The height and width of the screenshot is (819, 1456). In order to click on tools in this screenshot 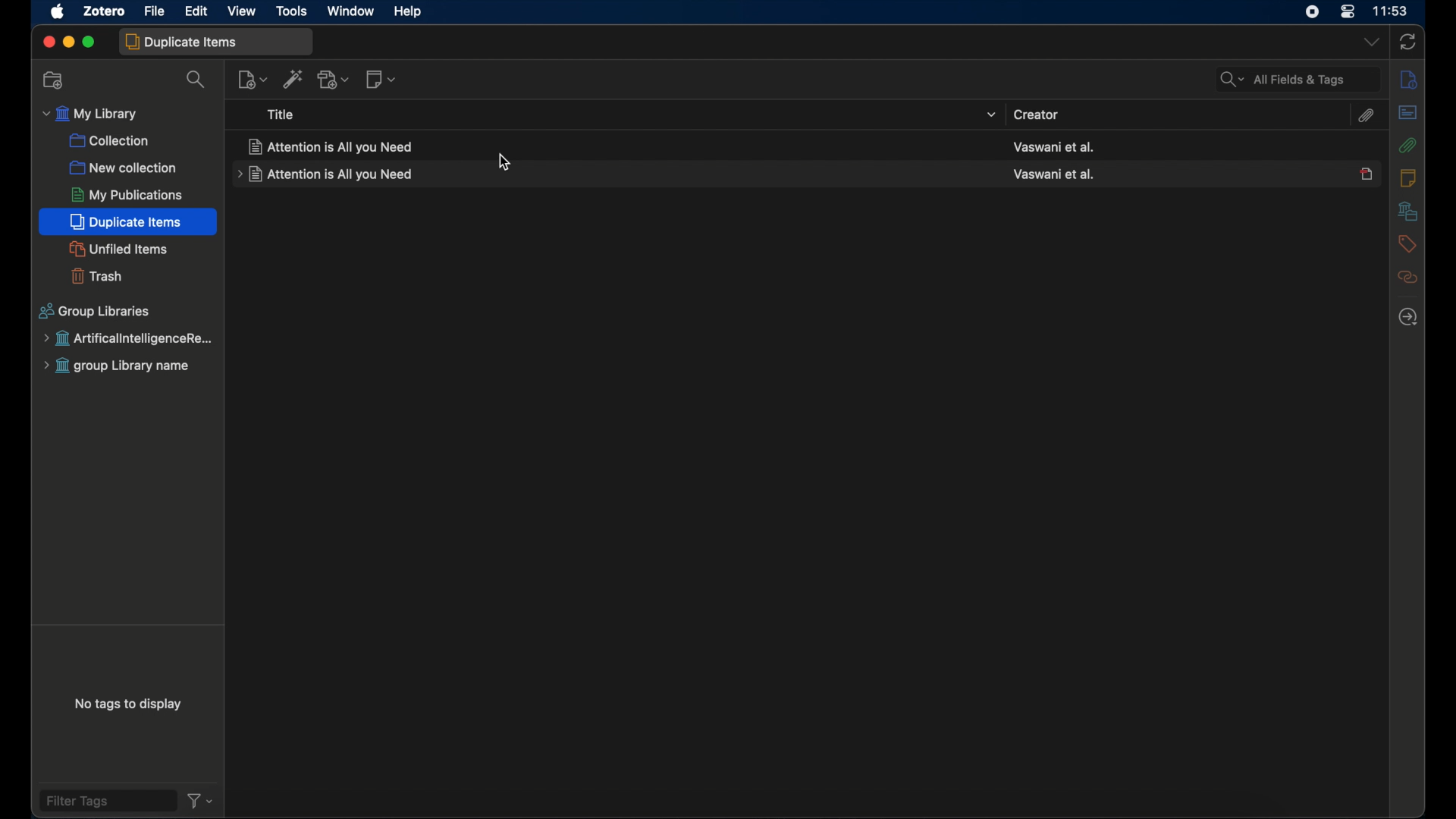, I will do `click(293, 12)`.